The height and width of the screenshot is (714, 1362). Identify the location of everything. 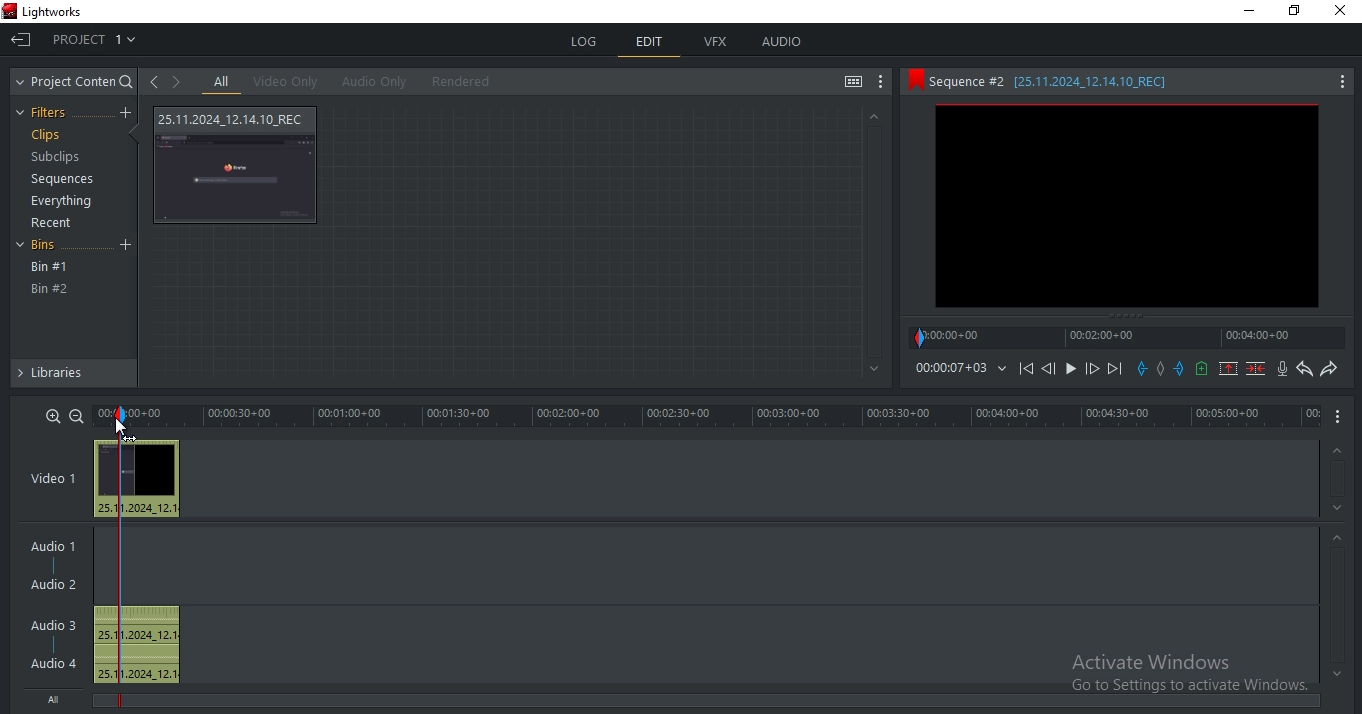
(65, 200).